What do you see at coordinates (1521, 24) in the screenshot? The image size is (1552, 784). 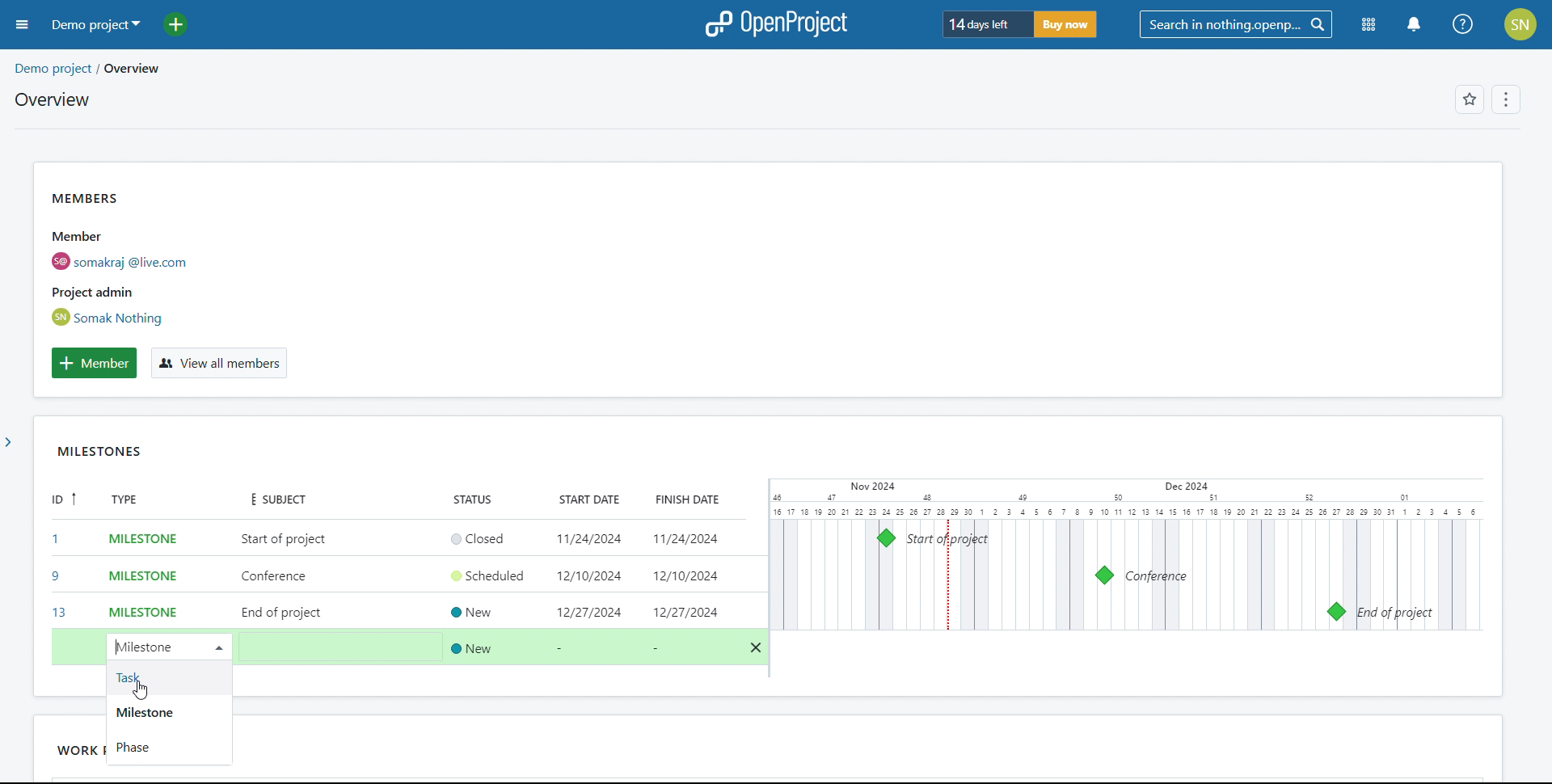 I see `account` at bounding box center [1521, 24].